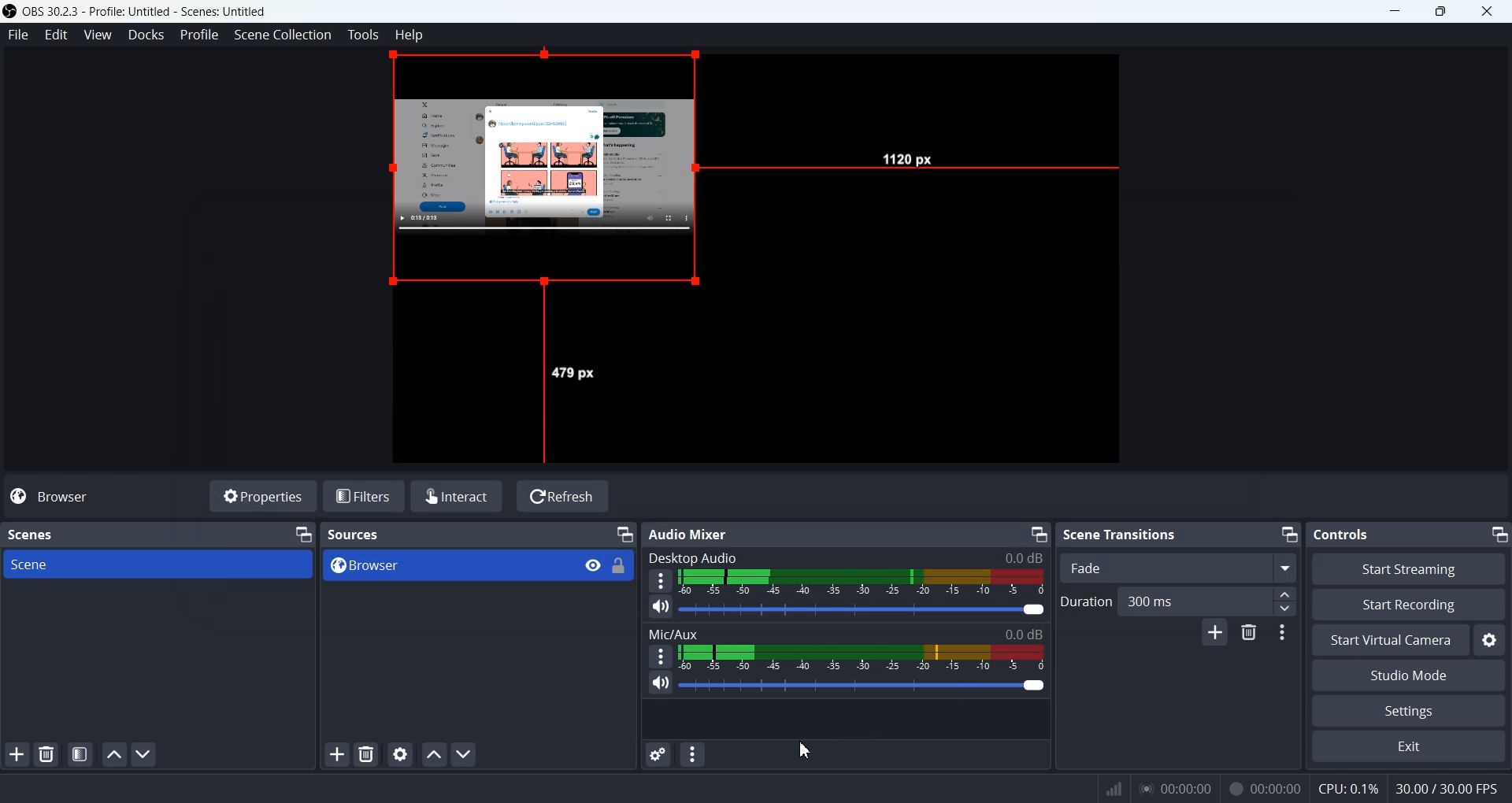  I want to click on Filters, so click(366, 495).